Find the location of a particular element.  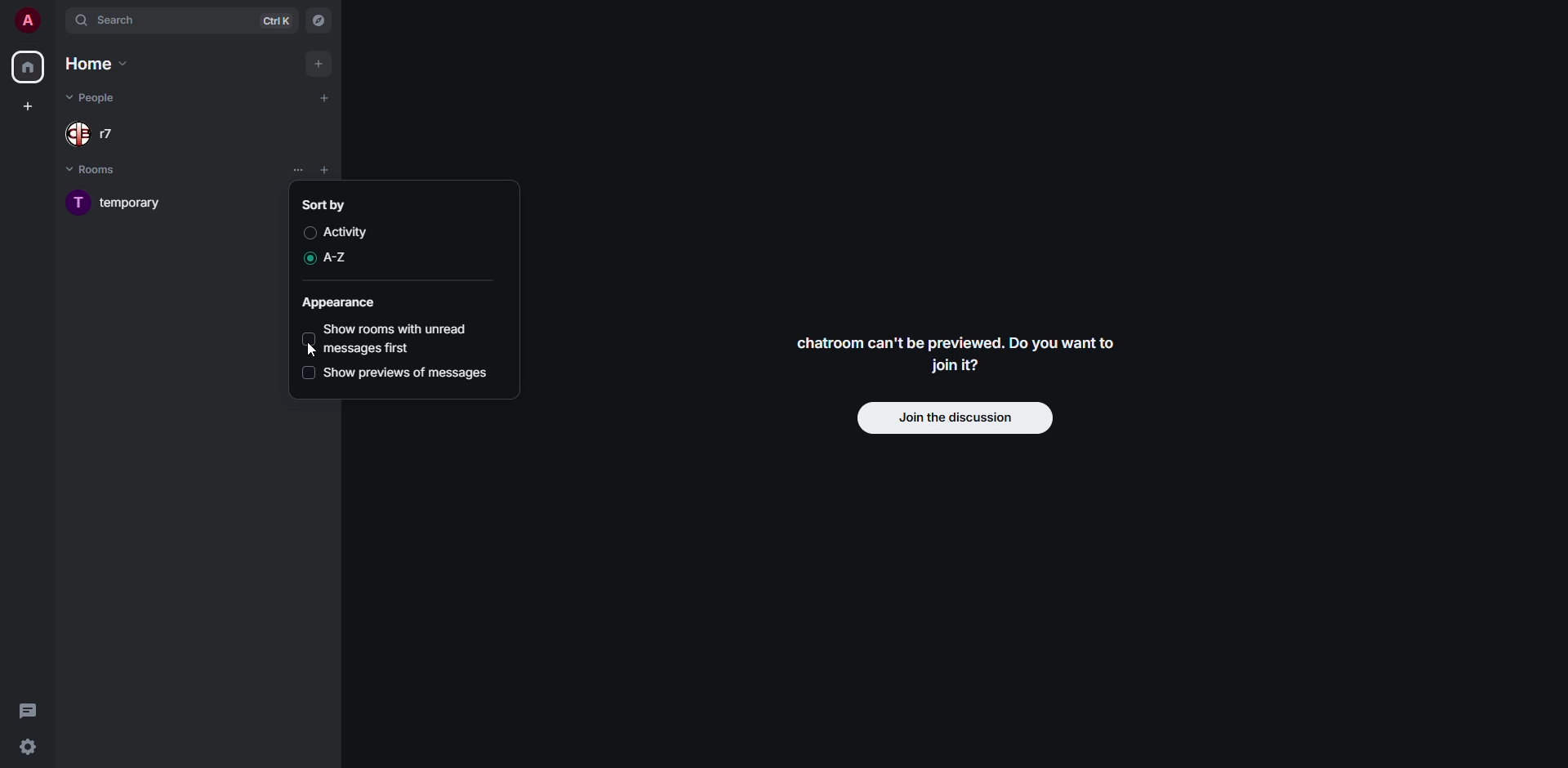

home is located at coordinates (29, 68).